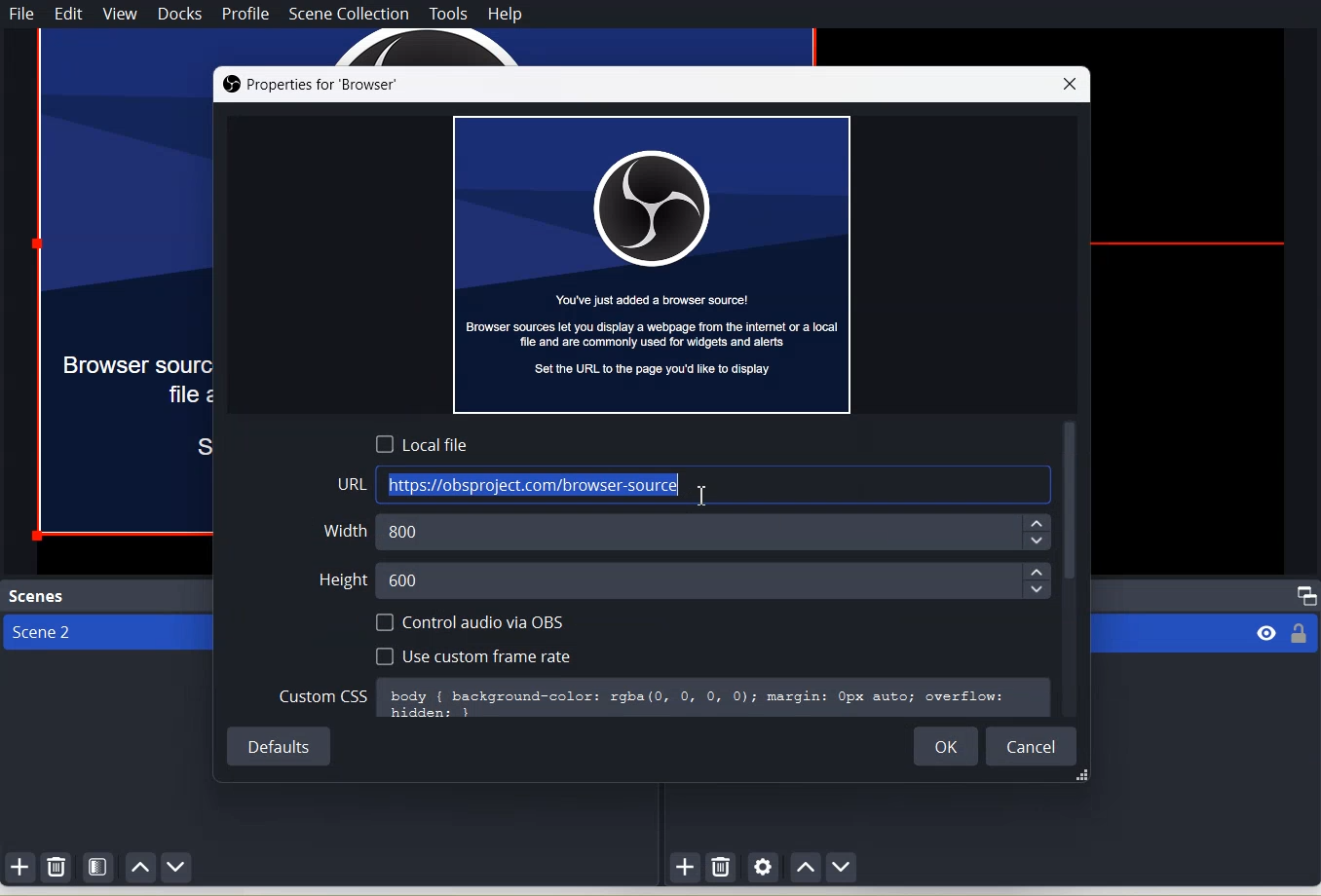 This screenshot has width=1321, height=896. I want to click on File, so click(22, 14).